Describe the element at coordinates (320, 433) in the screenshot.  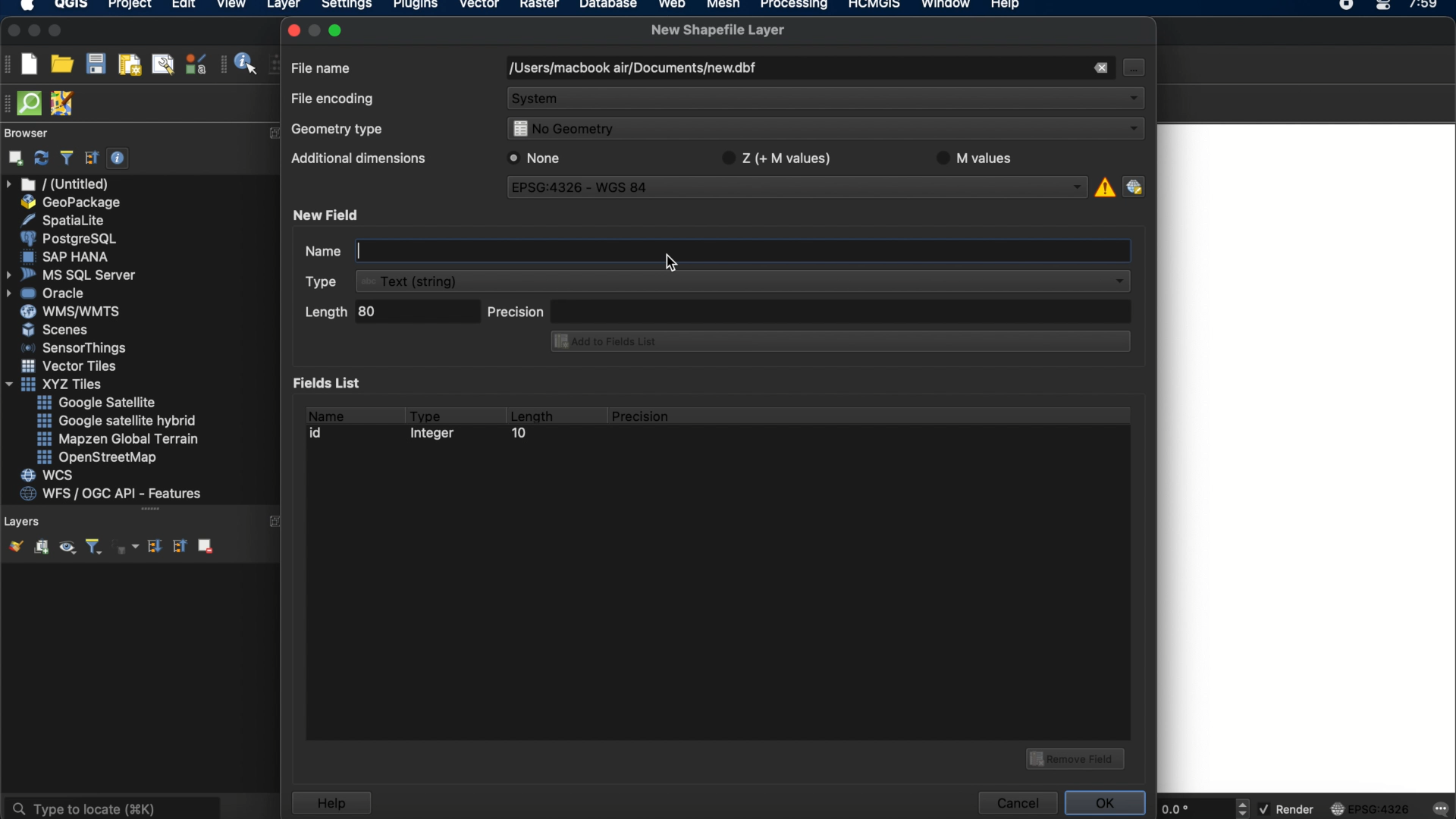
I see `id` at that location.